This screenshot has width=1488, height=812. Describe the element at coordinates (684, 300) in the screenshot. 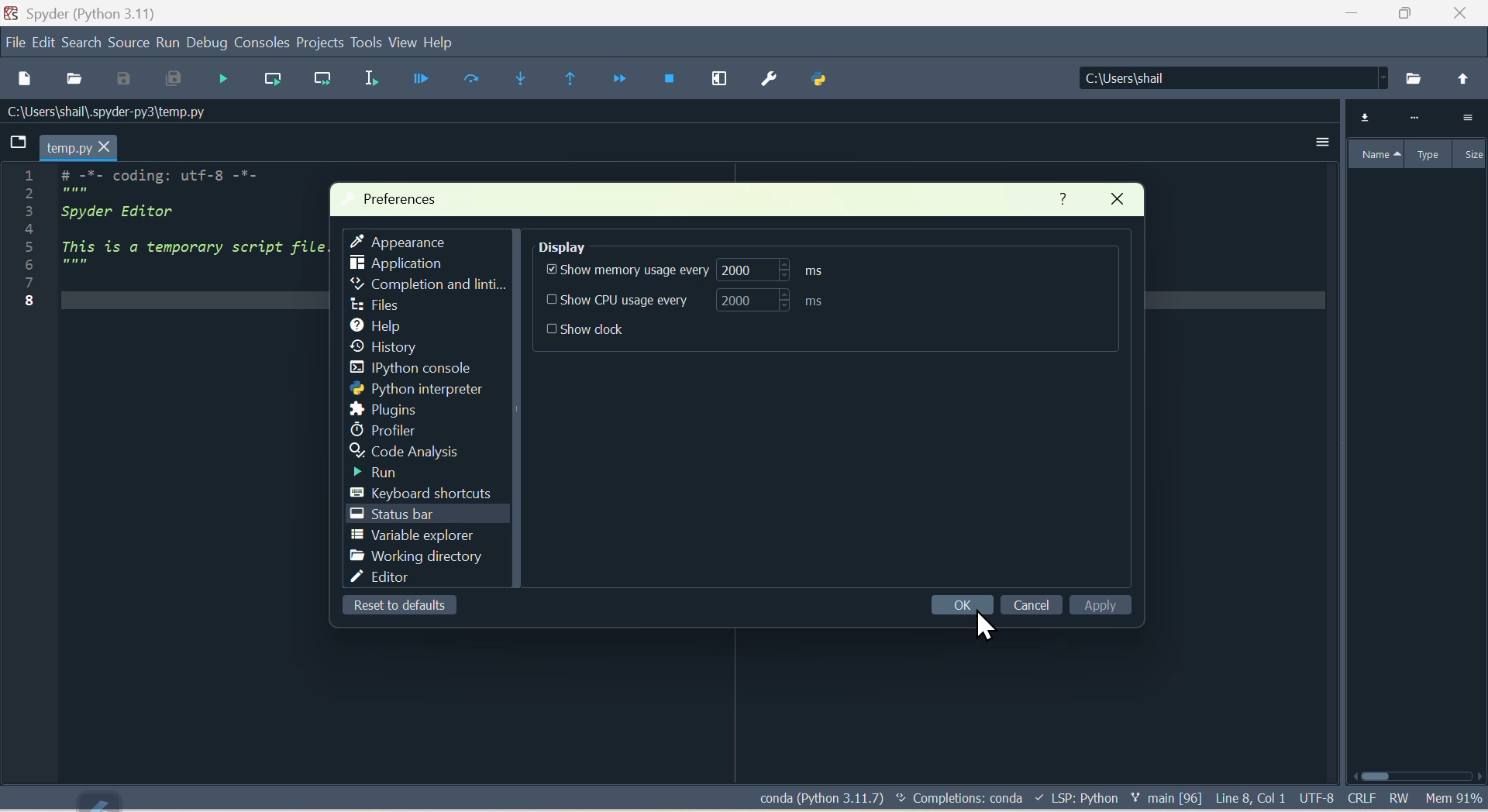

I see `Show CPU usage` at that location.